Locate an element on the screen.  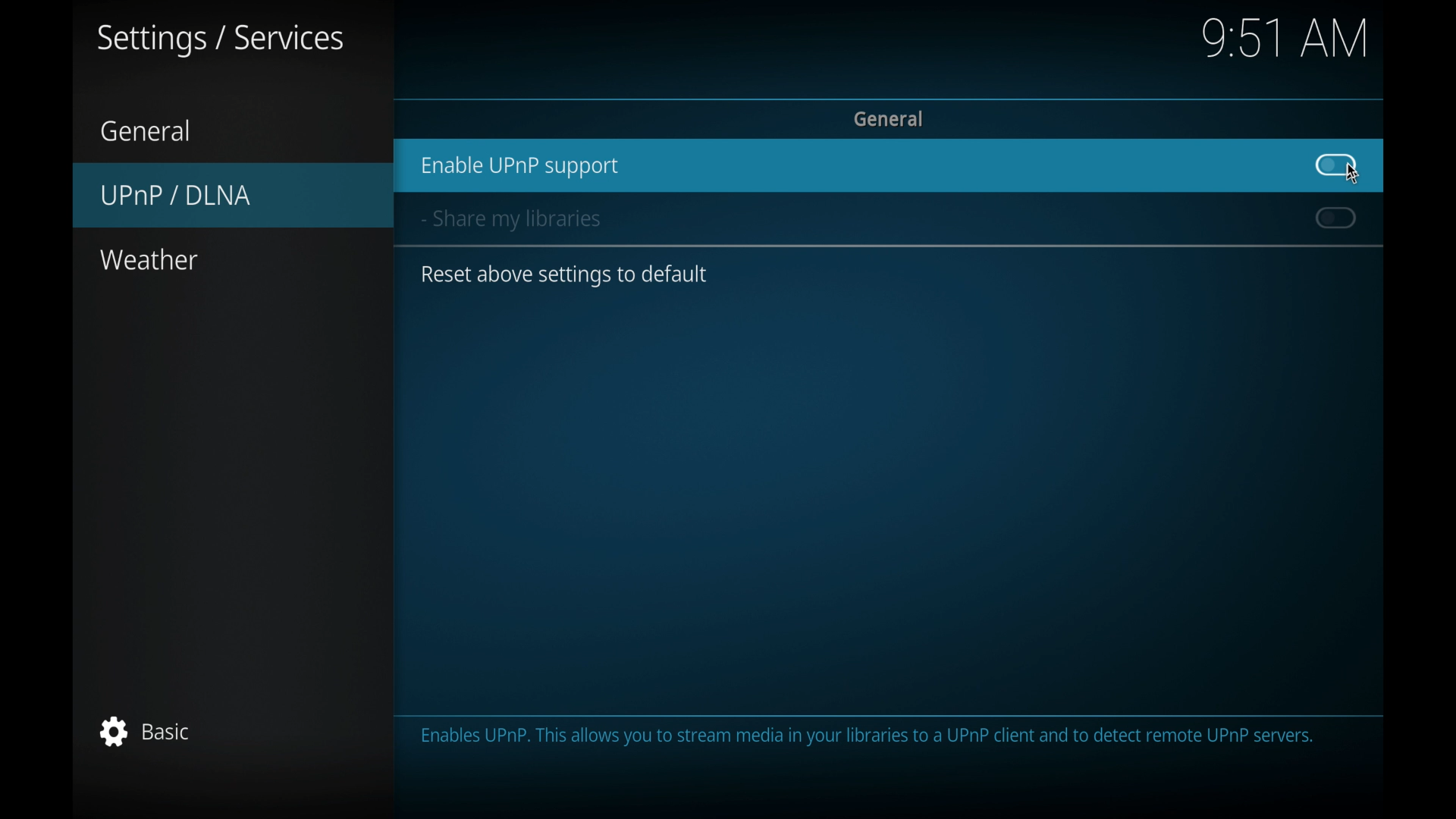
settings/services is located at coordinates (222, 40).